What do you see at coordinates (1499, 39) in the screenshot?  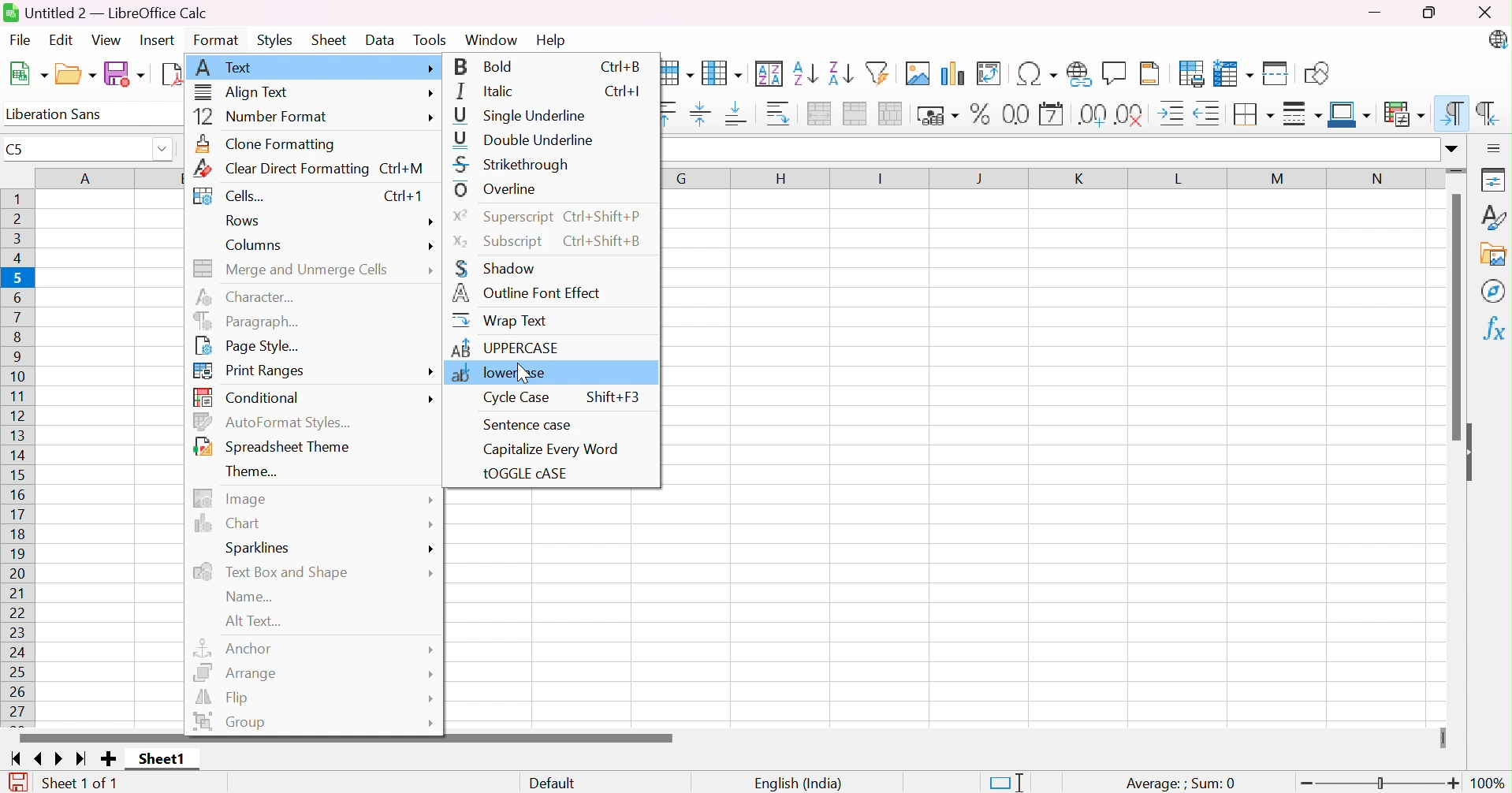 I see `LibreOffice Update Available` at bounding box center [1499, 39].